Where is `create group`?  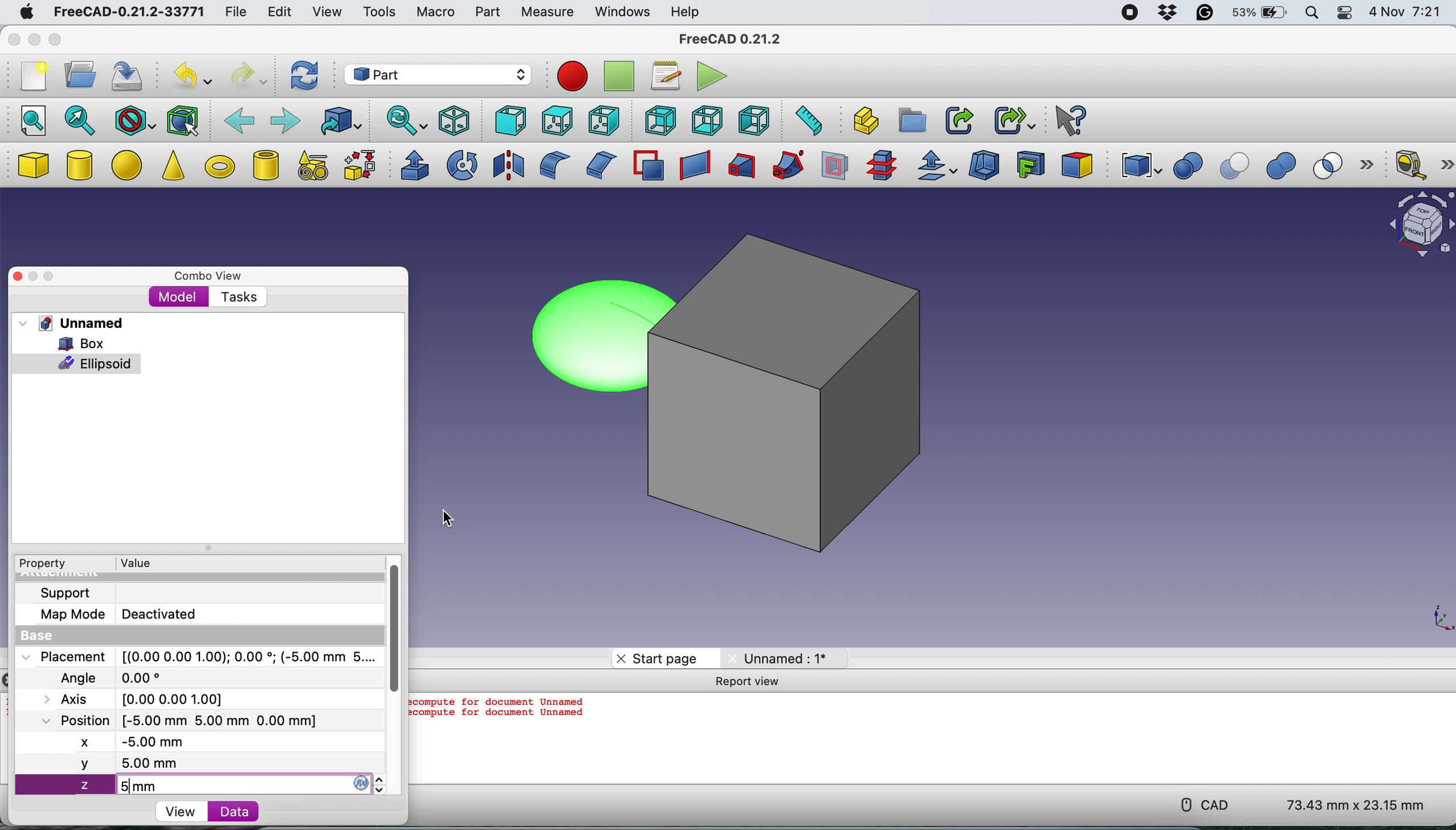
create group is located at coordinates (913, 120).